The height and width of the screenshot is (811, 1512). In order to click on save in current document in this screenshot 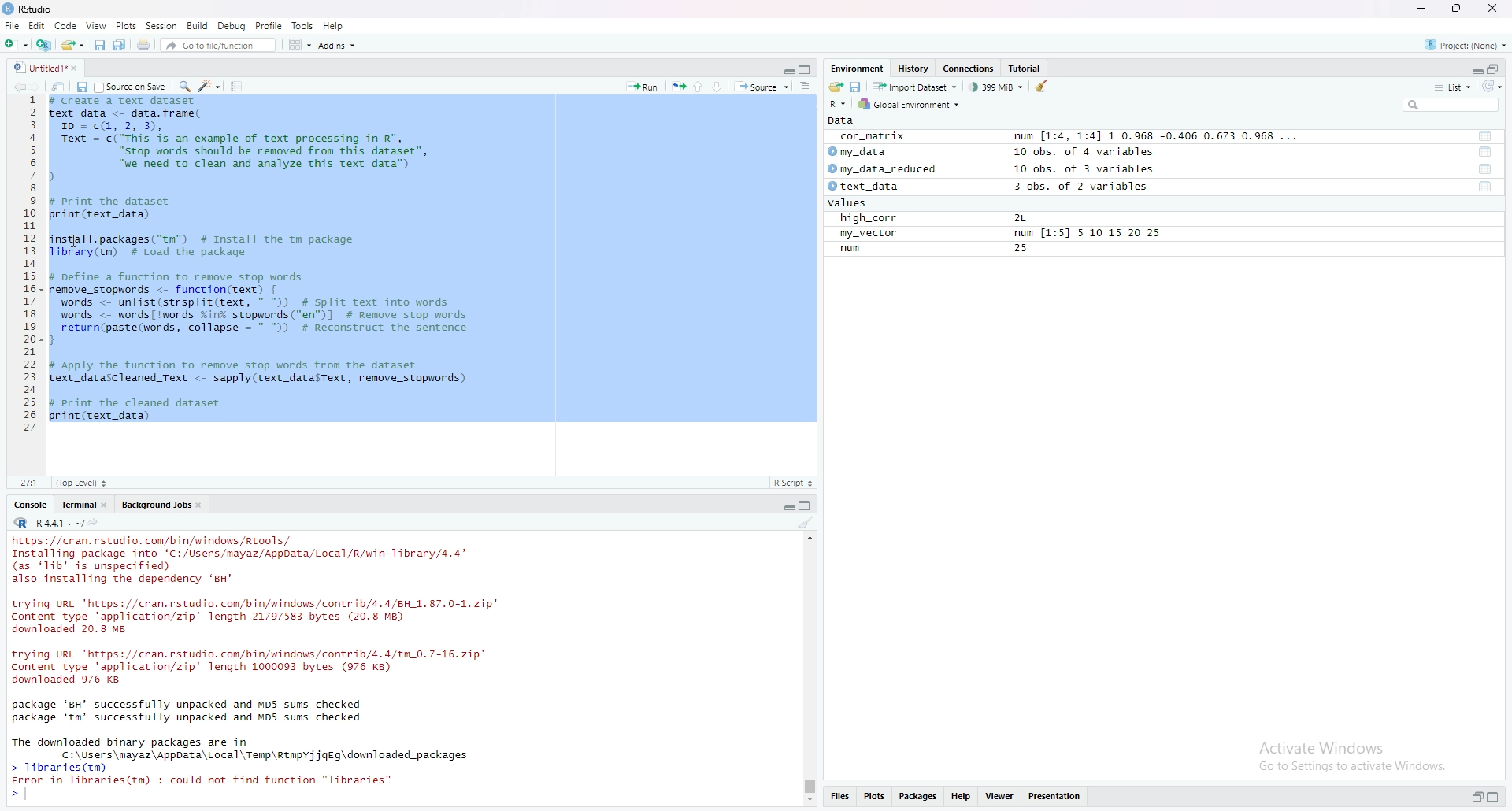, I will do `click(82, 87)`.